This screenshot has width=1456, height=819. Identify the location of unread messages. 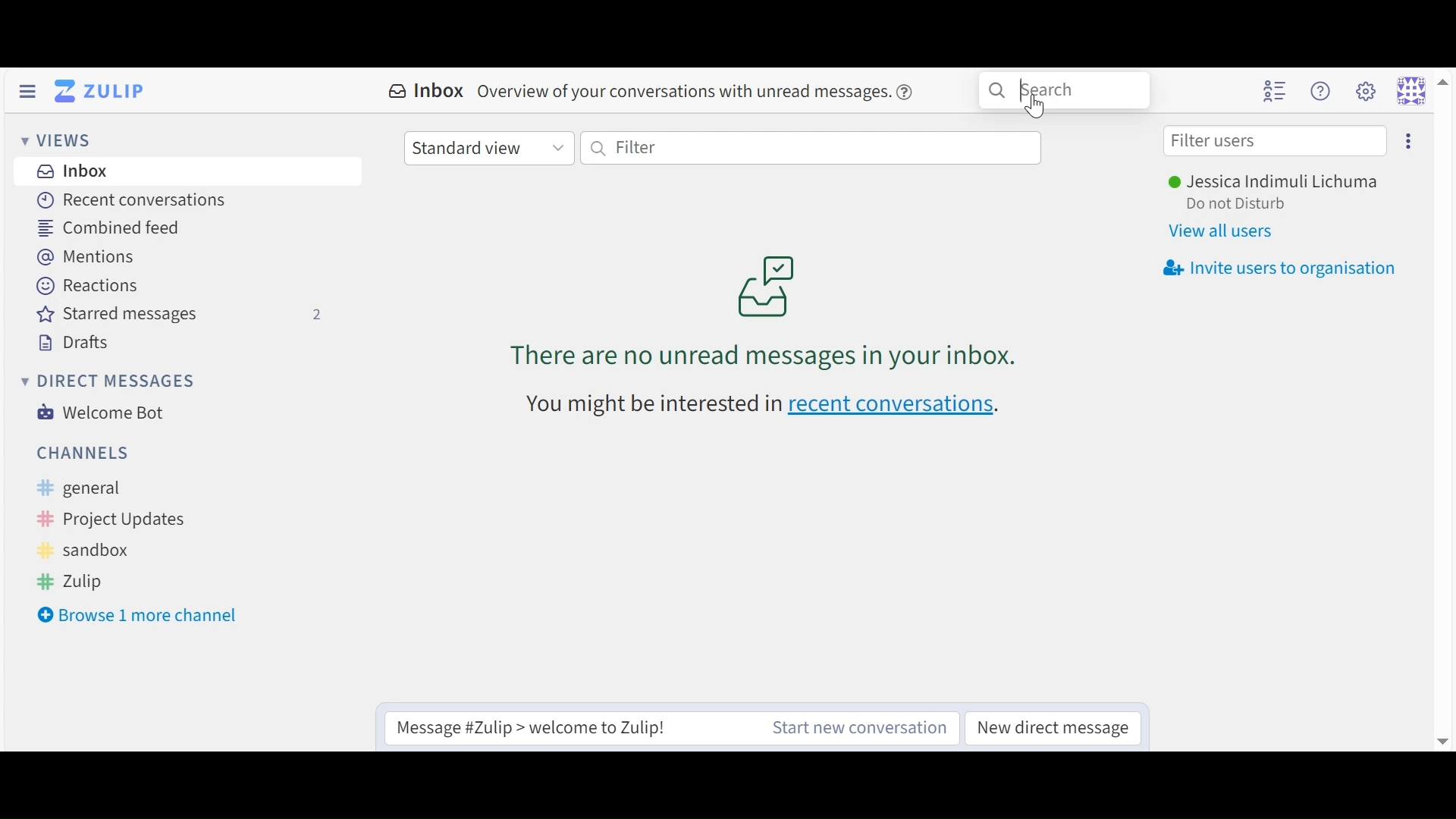
(778, 307).